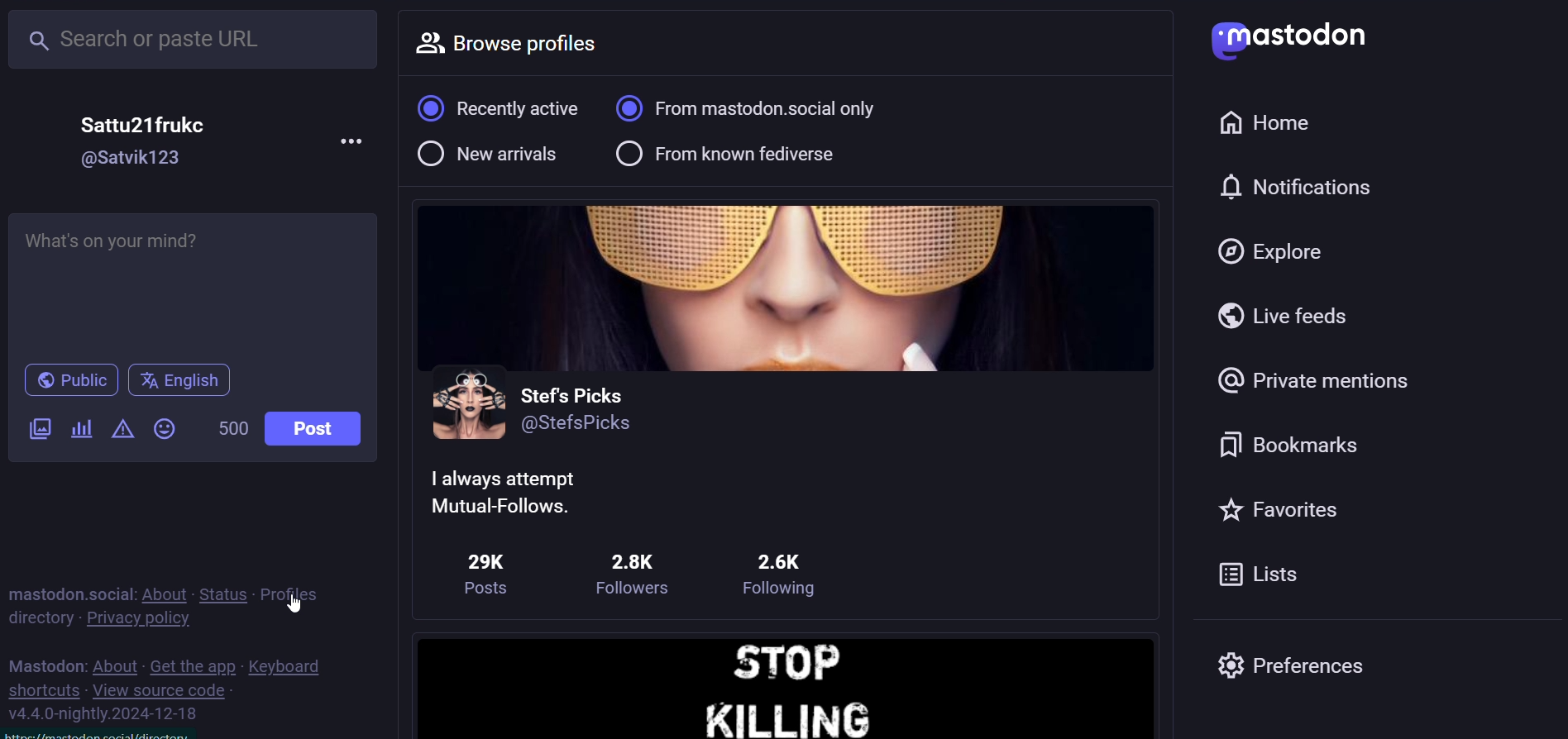  What do you see at coordinates (179, 379) in the screenshot?
I see `language` at bounding box center [179, 379].